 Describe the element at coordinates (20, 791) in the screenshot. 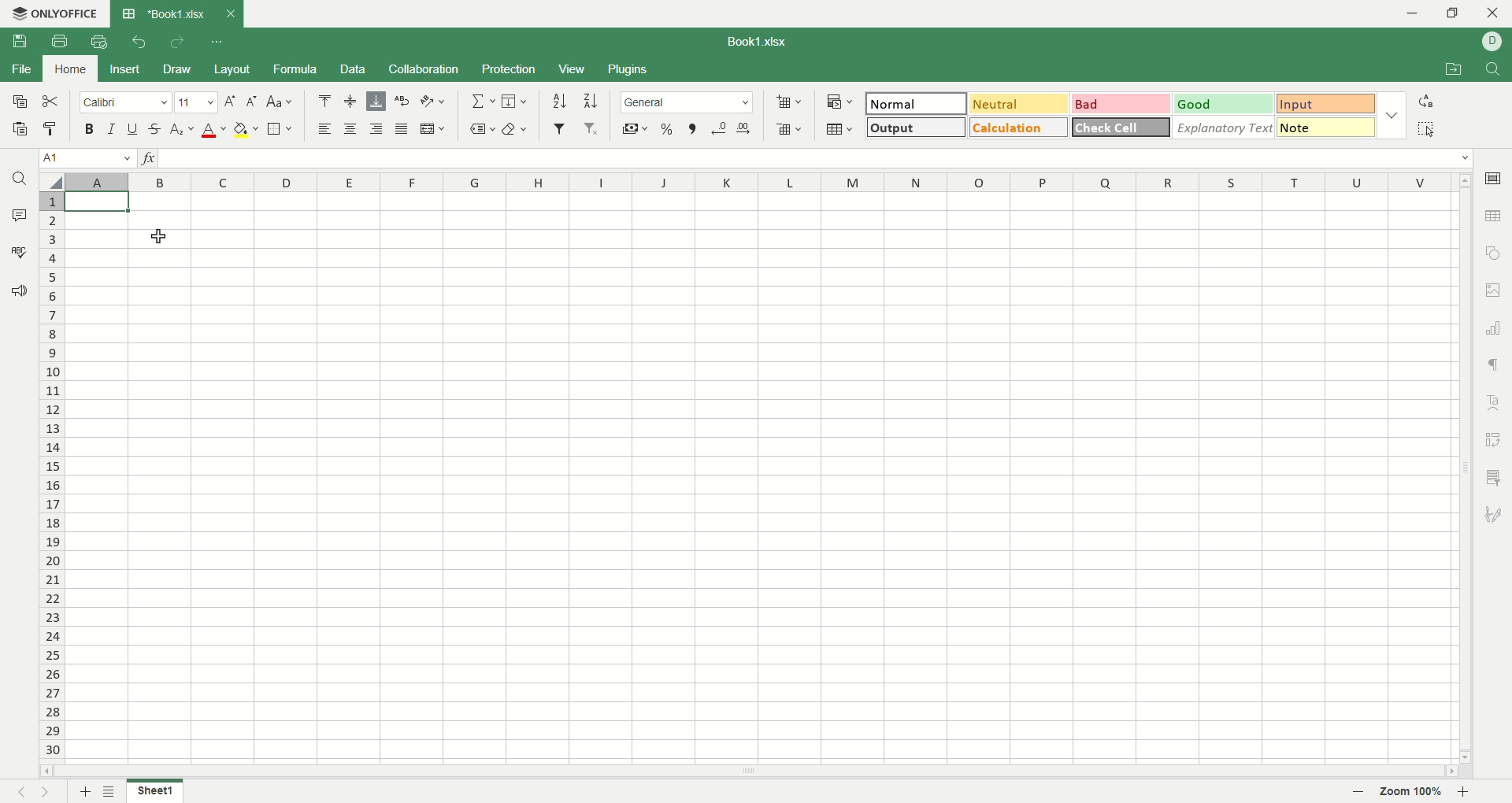

I see `Previous` at that location.